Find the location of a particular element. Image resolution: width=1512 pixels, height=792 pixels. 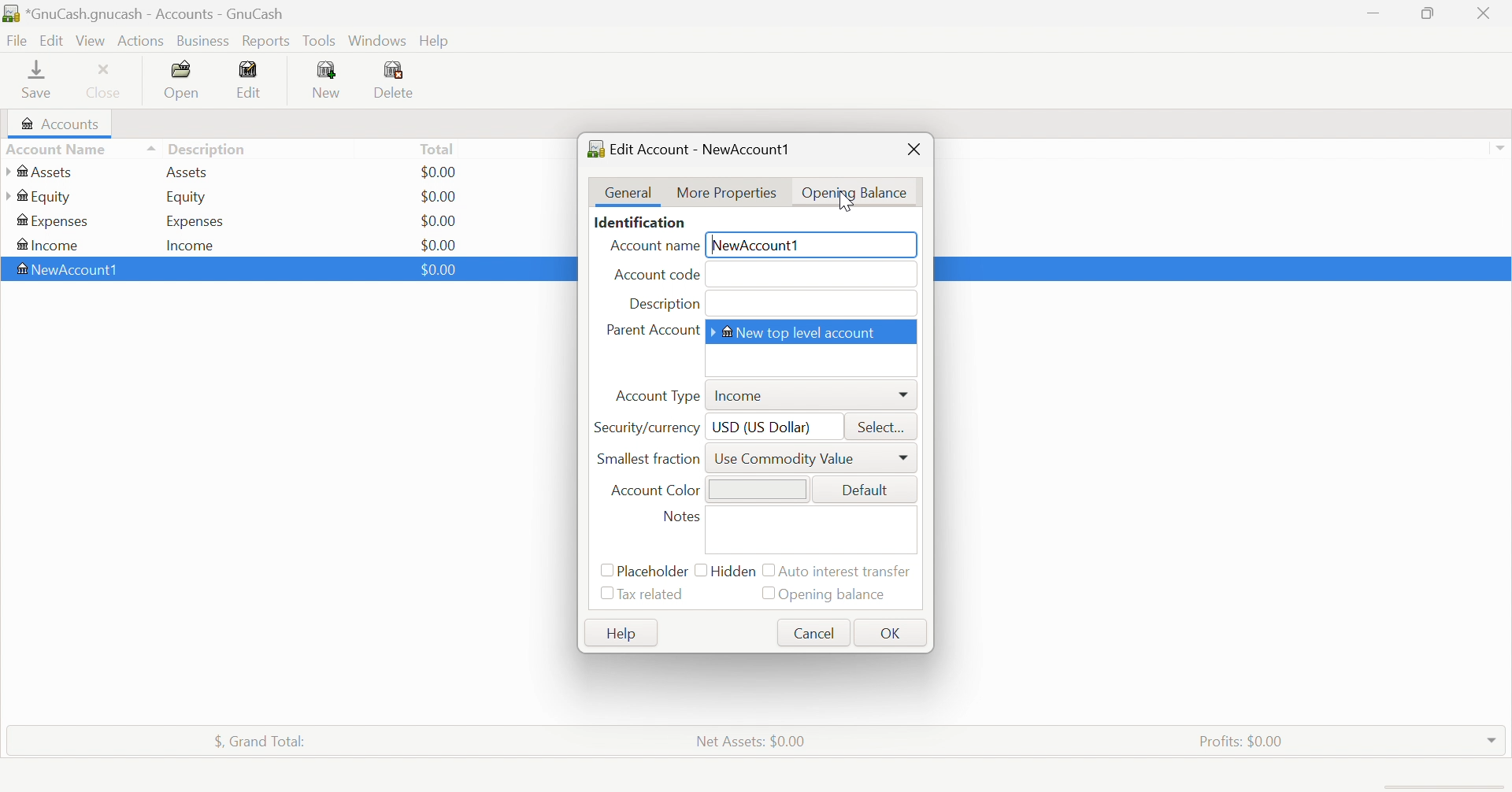

View is located at coordinates (91, 39).